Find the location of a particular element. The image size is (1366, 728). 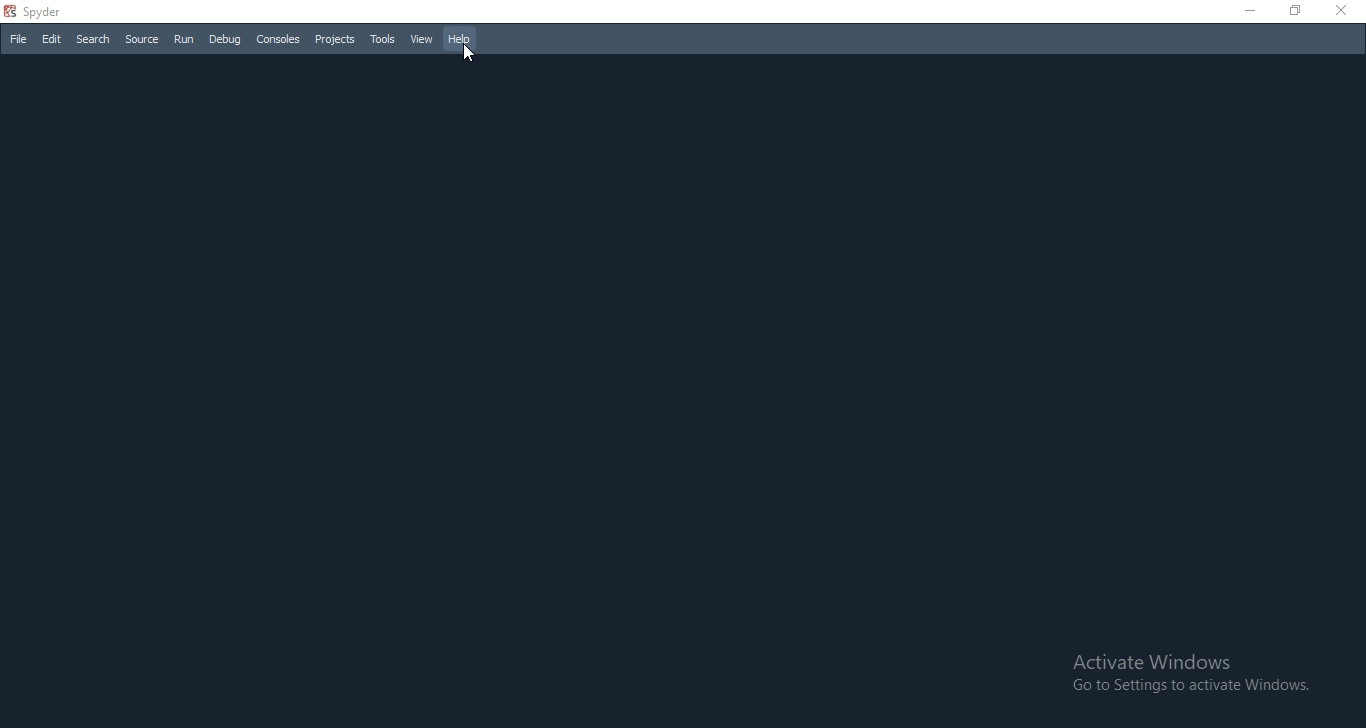

Activate Windows
Go to Settings to activate Windows. is located at coordinates (1188, 672).